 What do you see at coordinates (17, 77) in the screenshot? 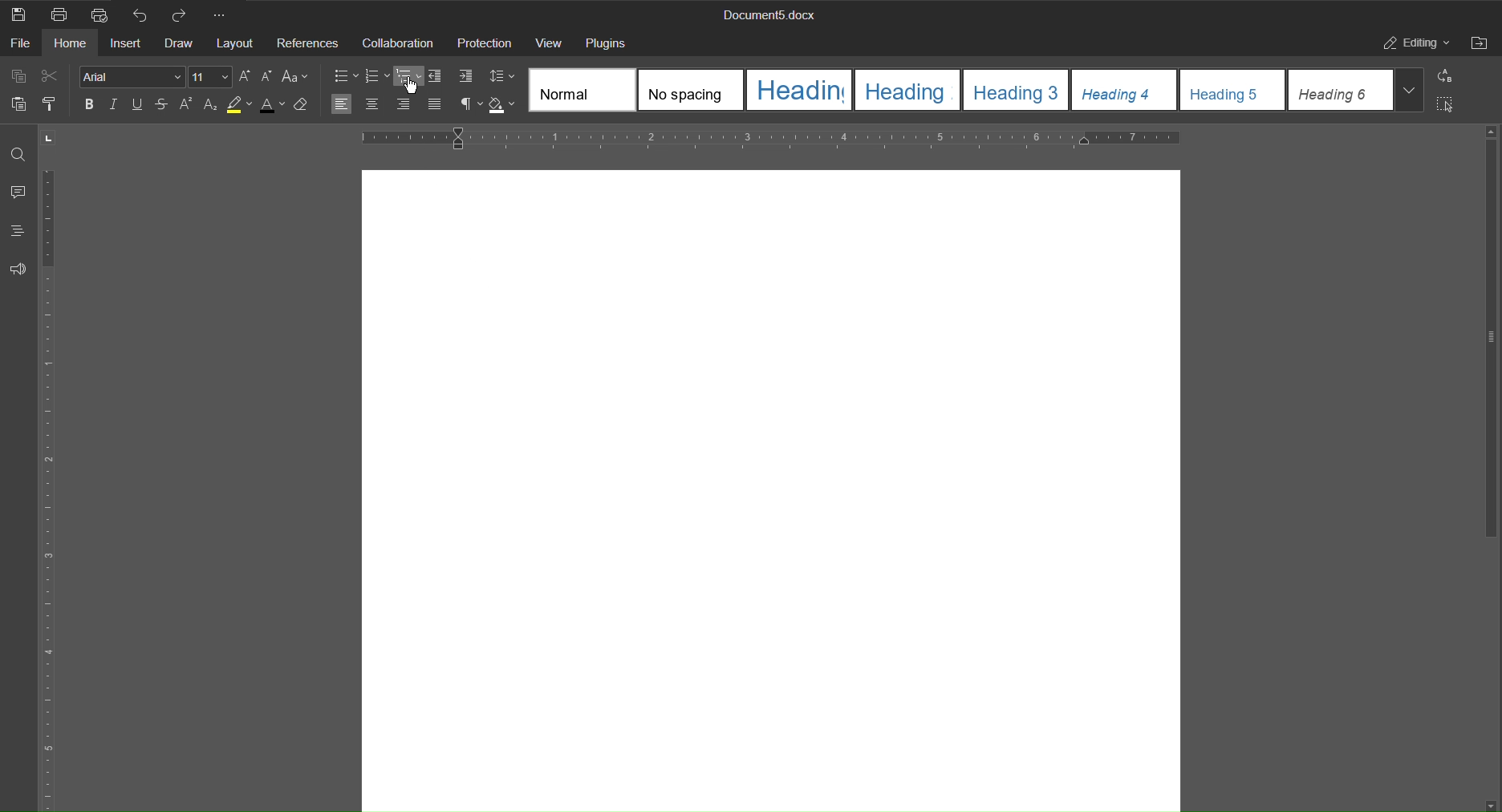
I see `Copy` at bounding box center [17, 77].